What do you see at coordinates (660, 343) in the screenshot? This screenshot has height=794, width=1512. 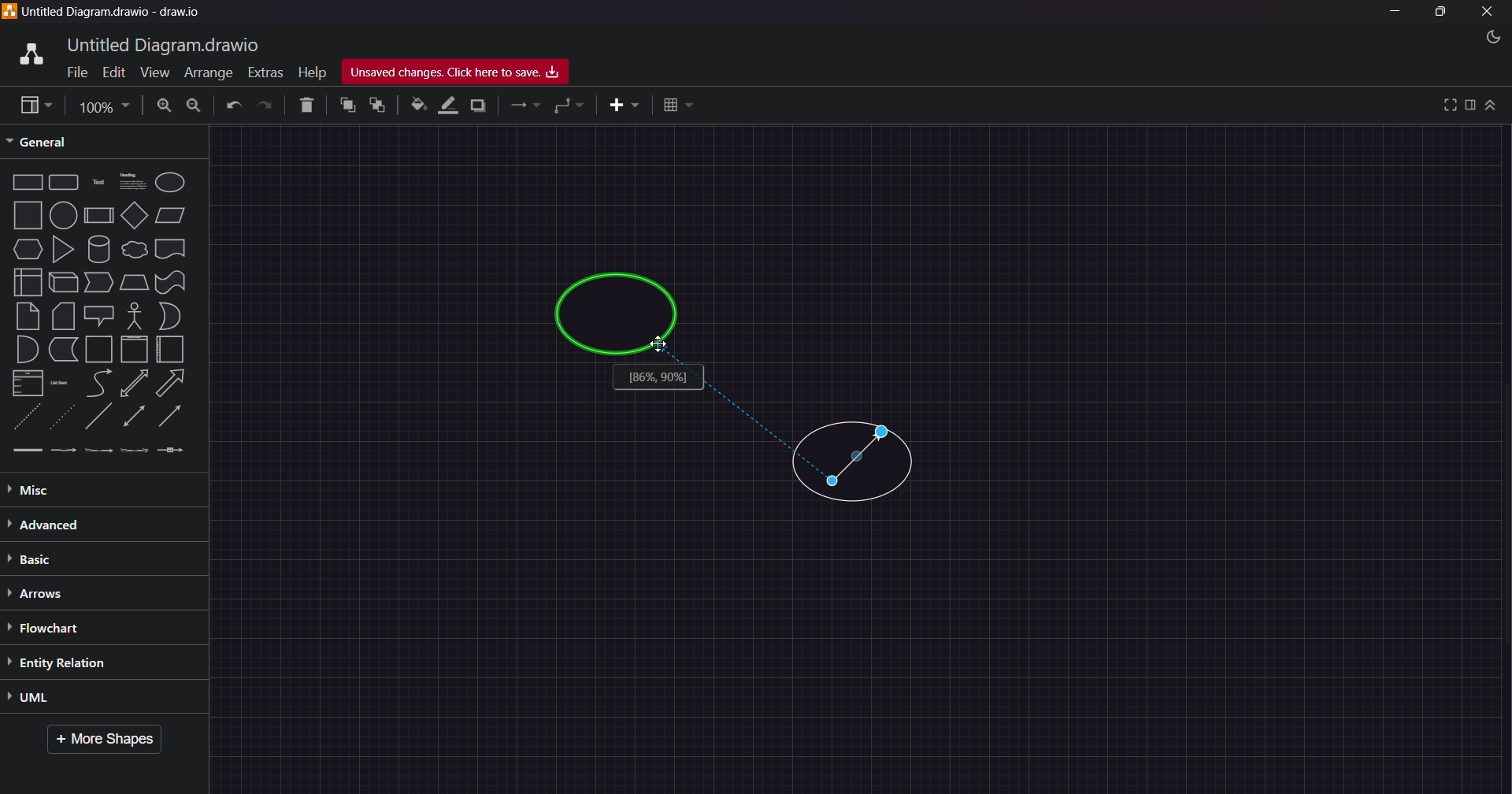 I see `cursor` at bounding box center [660, 343].